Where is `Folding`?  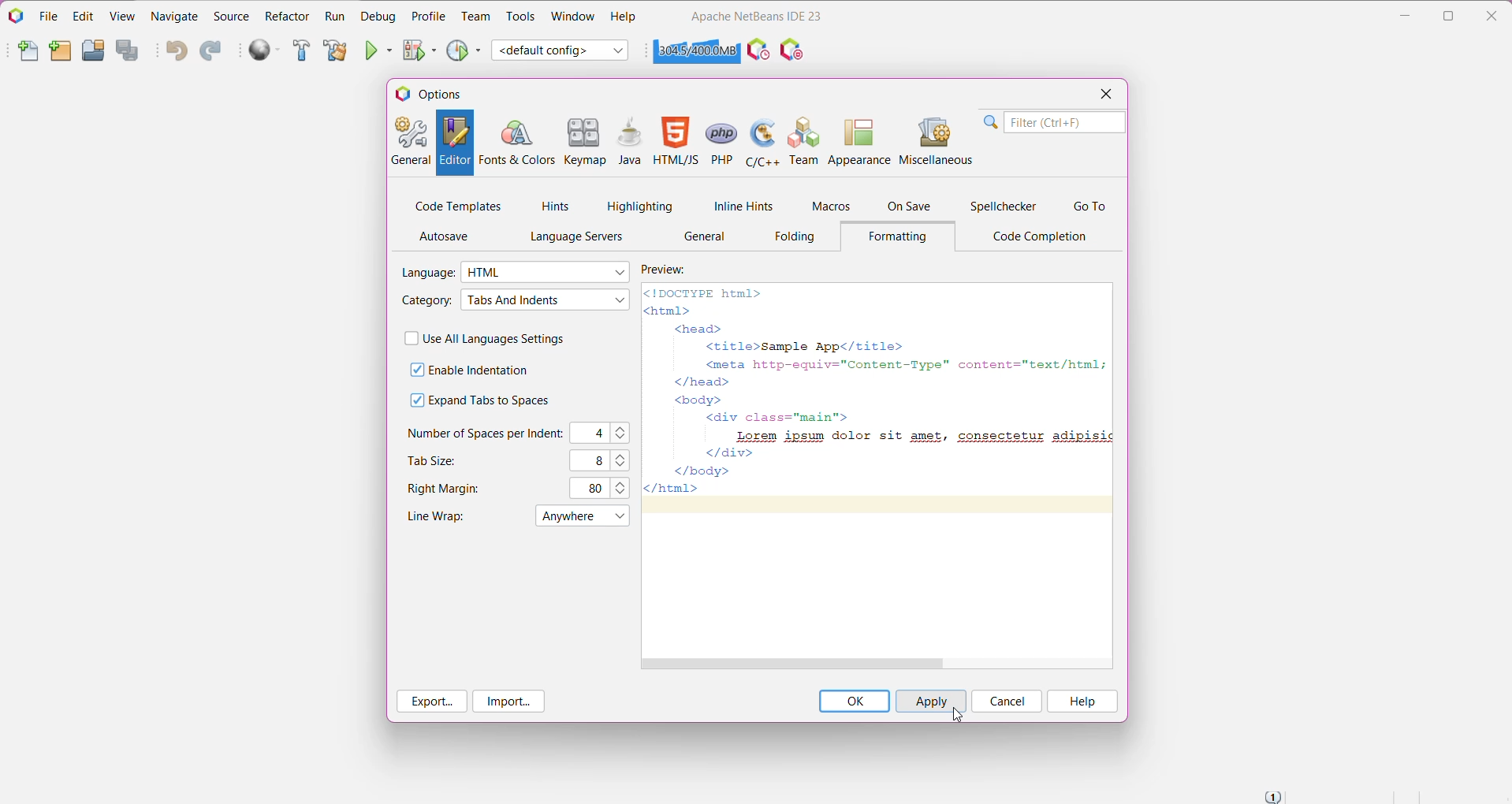 Folding is located at coordinates (796, 236).